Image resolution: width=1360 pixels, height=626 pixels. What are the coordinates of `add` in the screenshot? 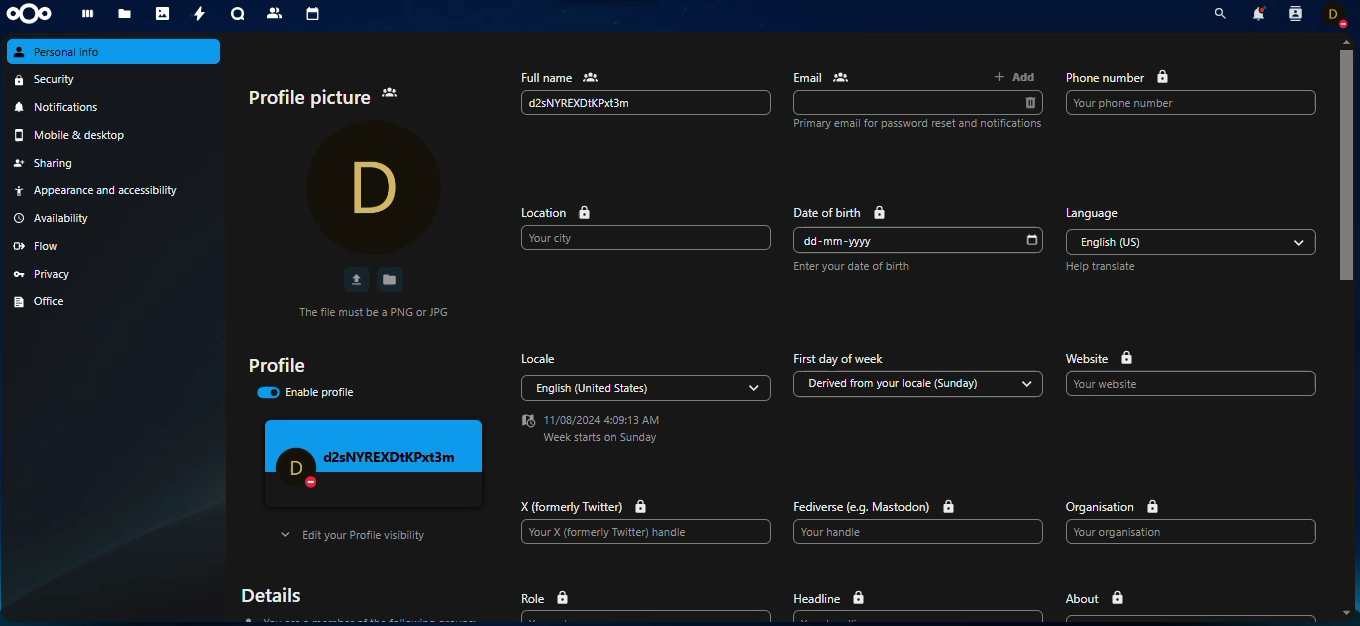 It's located at (1015, 76).